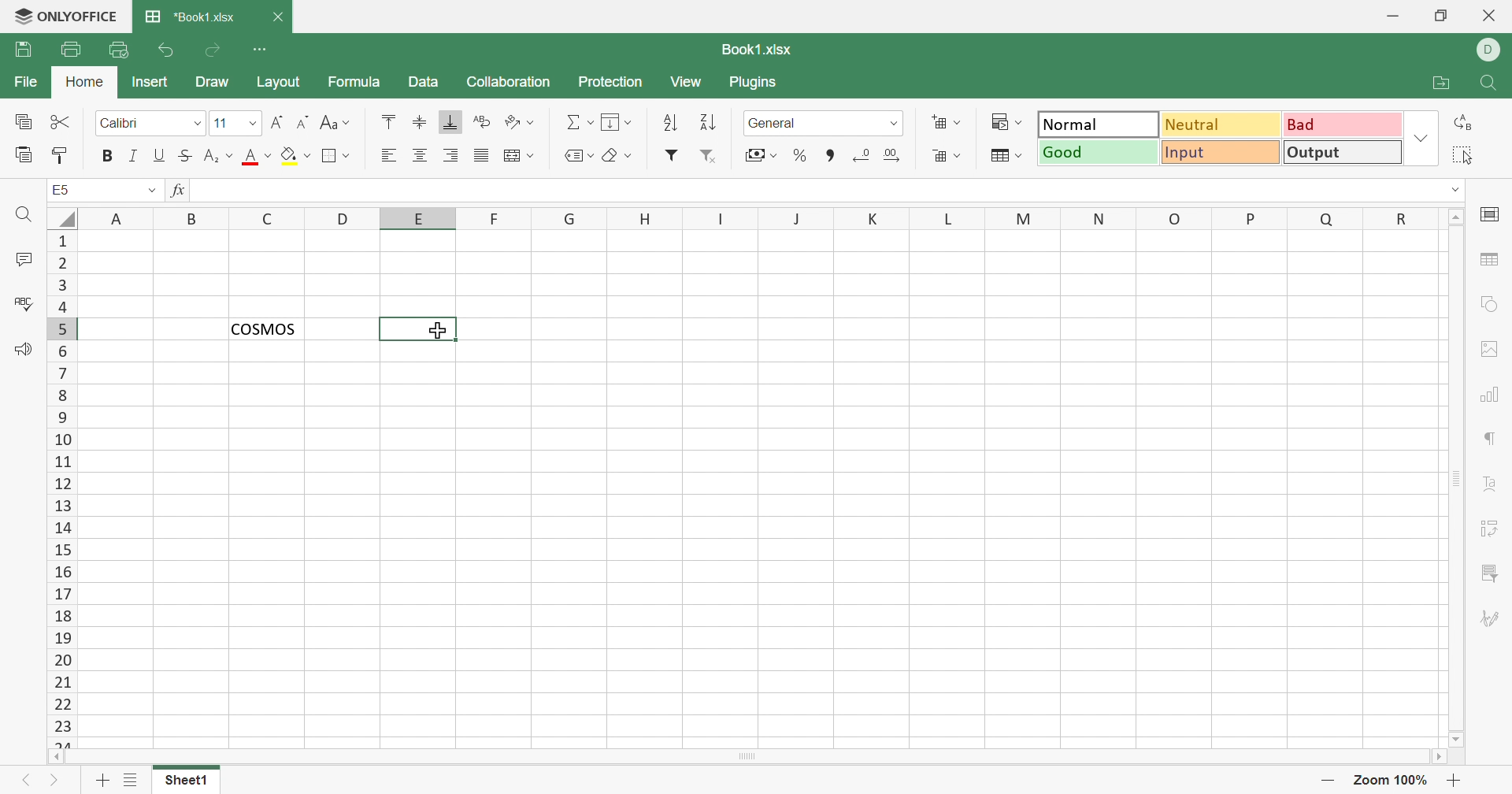 The width and height of the screenshot is (1512, 794). Describe the element at coordinates (946, 123) in the screenshot. I see `Add cells` at that location.